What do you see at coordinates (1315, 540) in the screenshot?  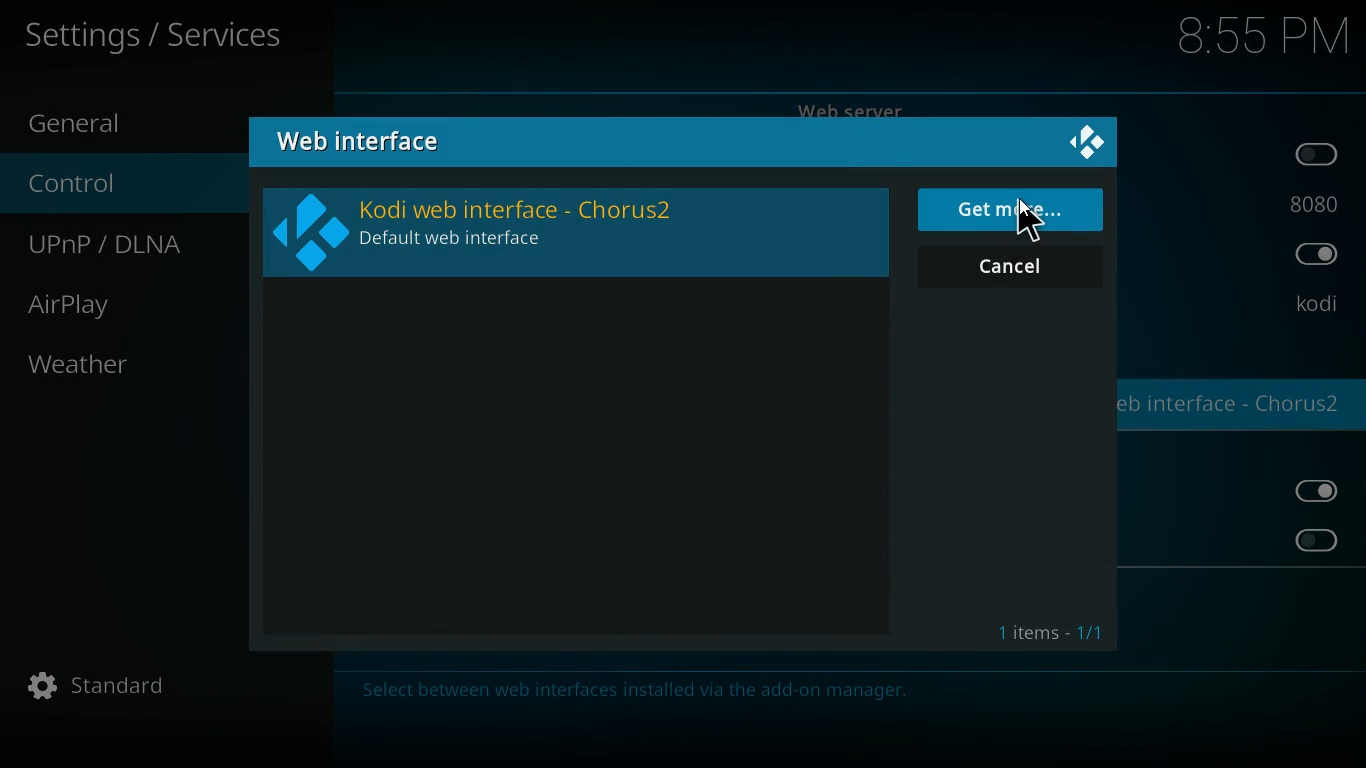 I see `off` at bounding box center [1315, 540].